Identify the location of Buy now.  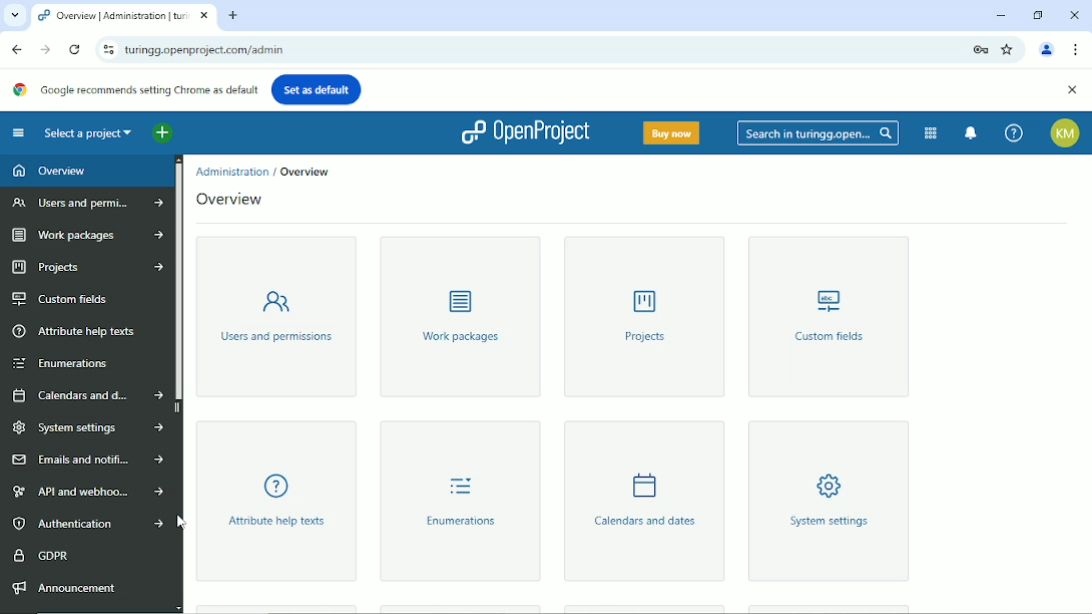
(670, 132).